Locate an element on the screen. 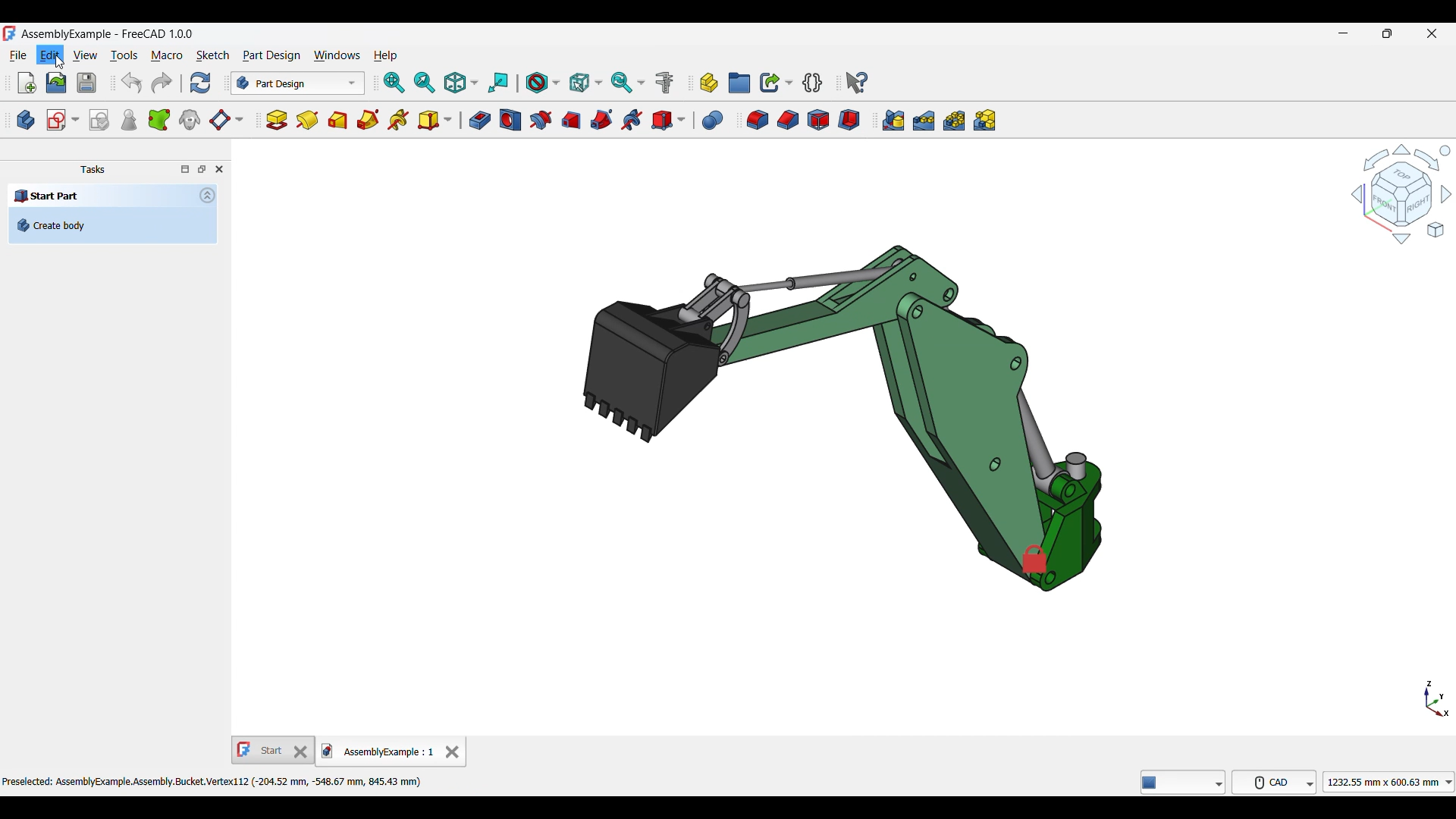 This screenshot has height=819, width=1456. Revolution is located at coordinates (307, 121).